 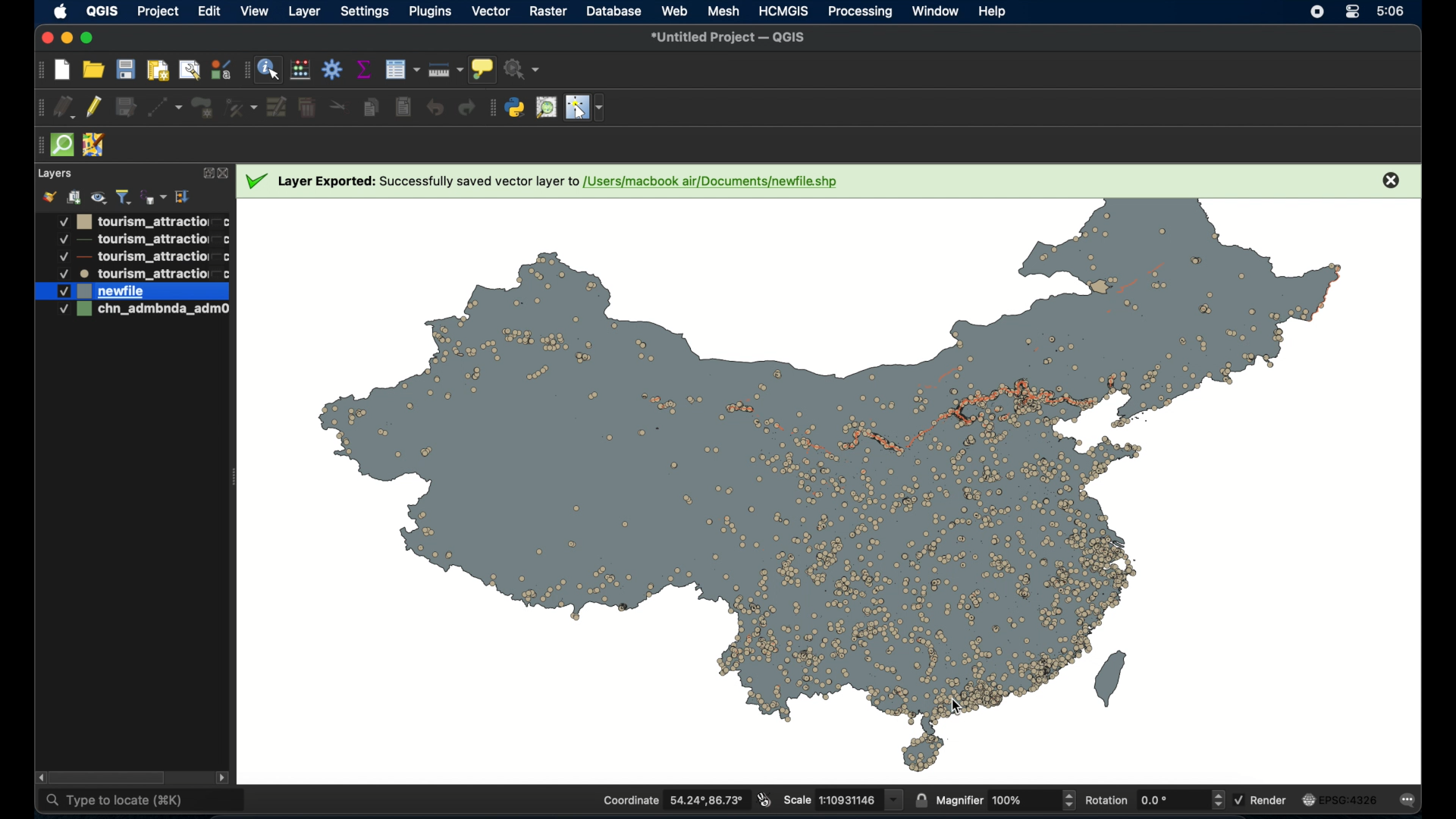 What do you see at coordinates (465, 108) in the screenshot?
I see `redo` at bounding box center [465, 108].